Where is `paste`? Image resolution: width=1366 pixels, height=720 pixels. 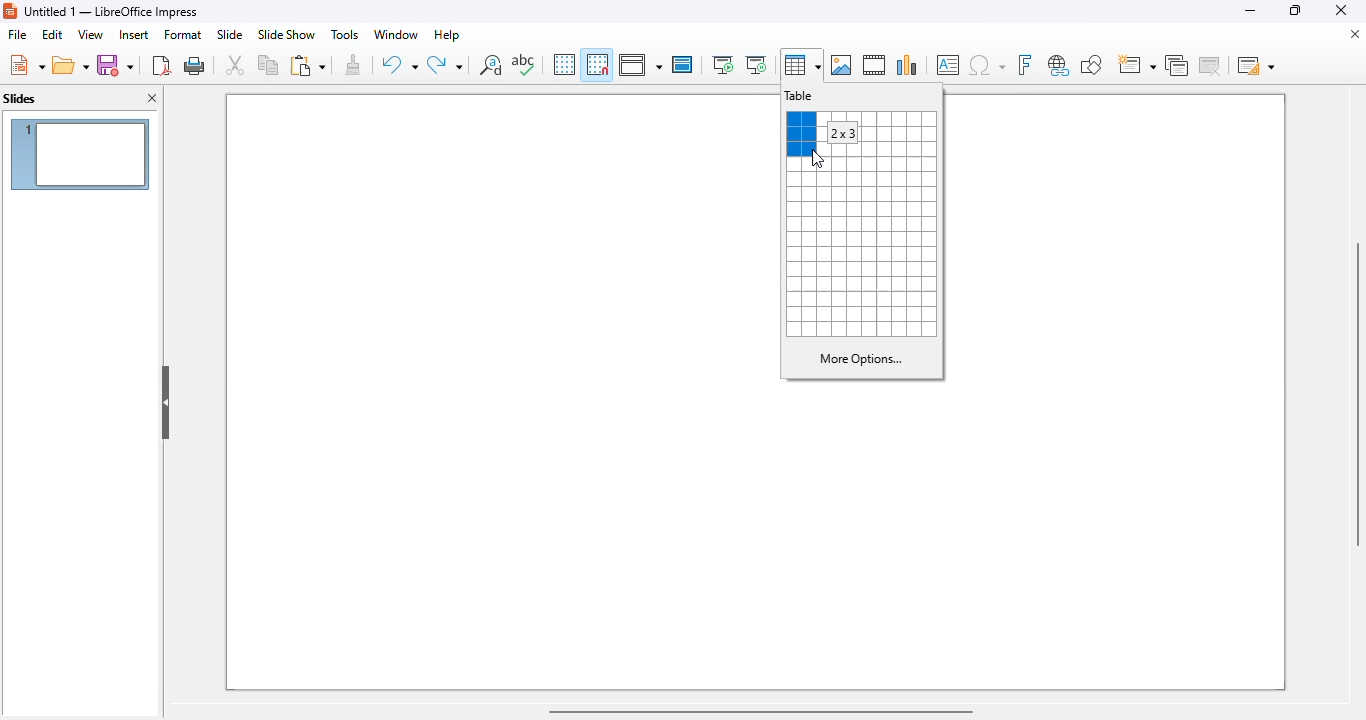 paste is located at coordinates (308, 65).